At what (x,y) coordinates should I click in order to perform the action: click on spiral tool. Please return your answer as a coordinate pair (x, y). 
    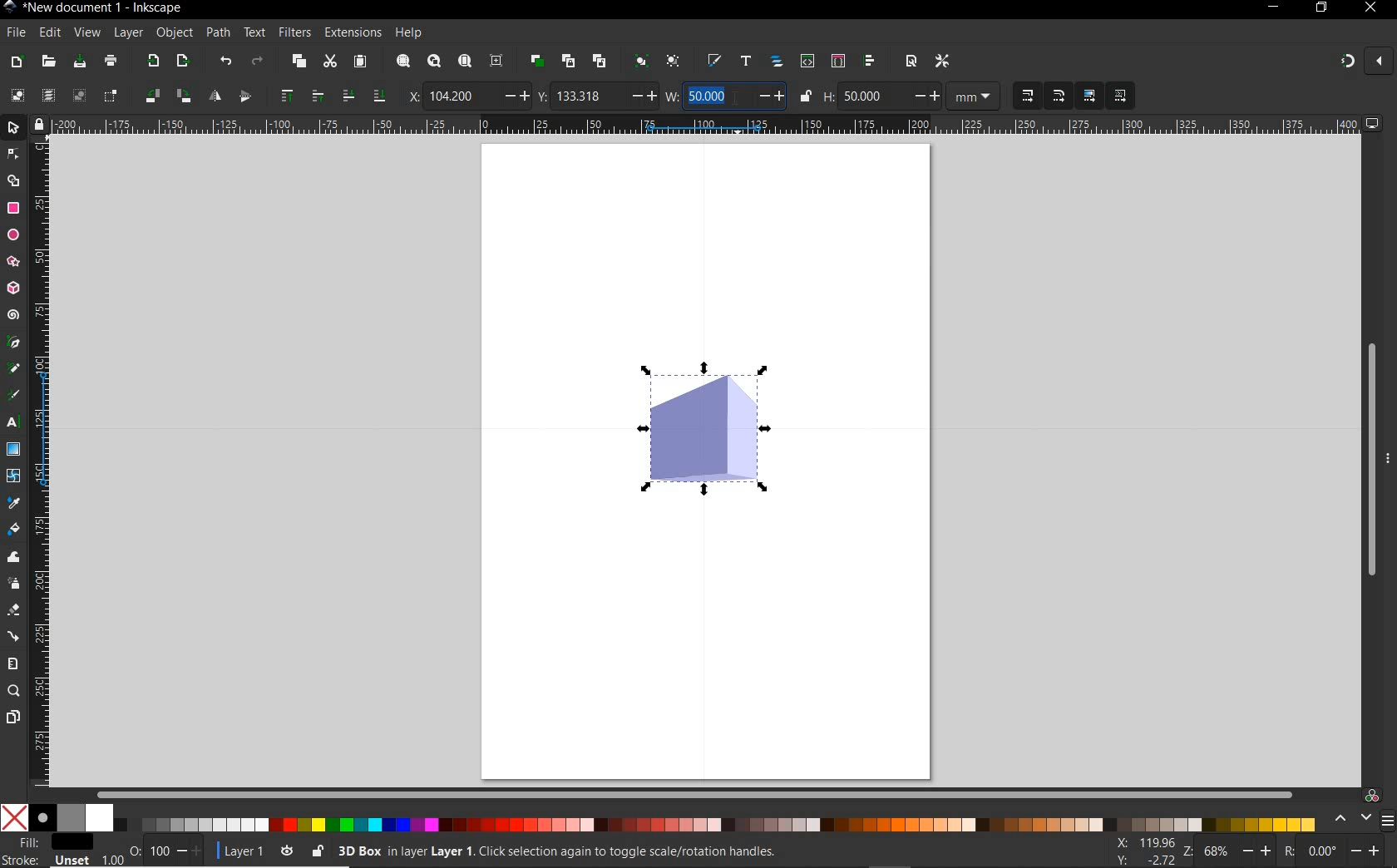
    Looking at the image, I should click on (12, 314).